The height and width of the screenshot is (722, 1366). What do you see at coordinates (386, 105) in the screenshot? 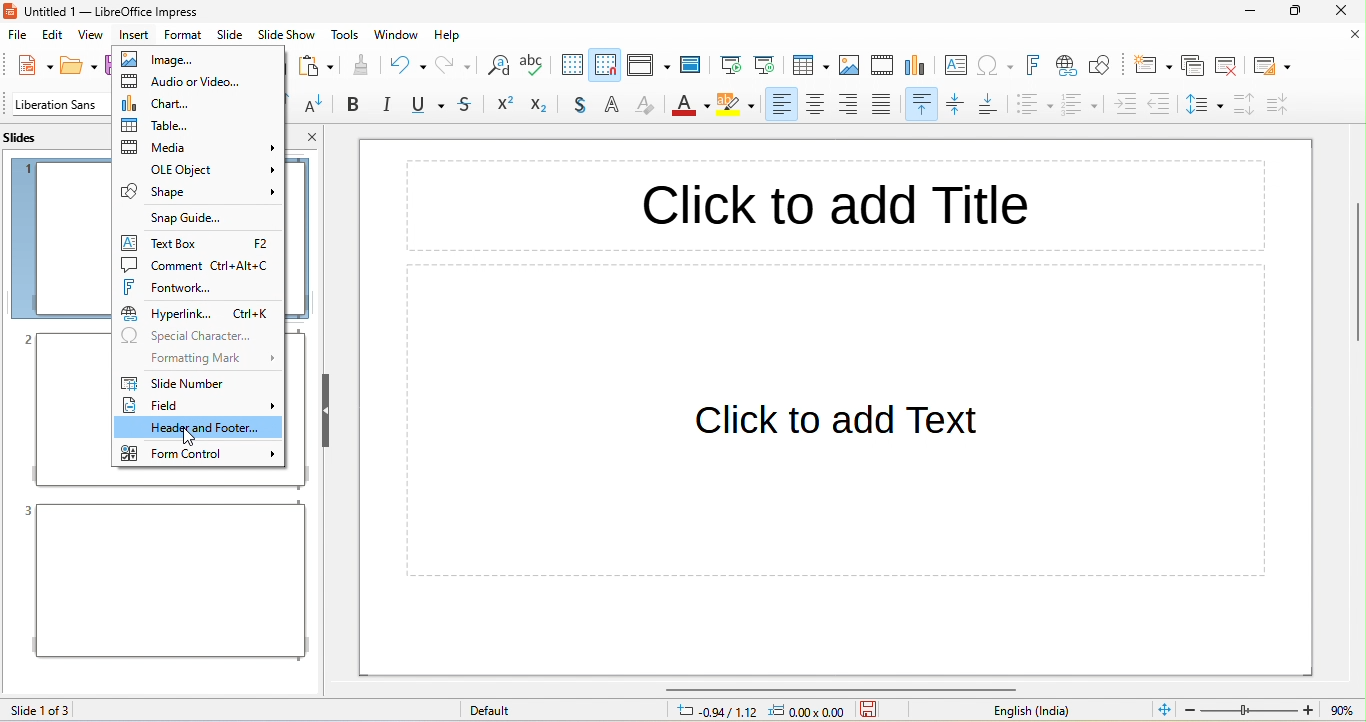
I see `italic` at bounding box center [386, 105].